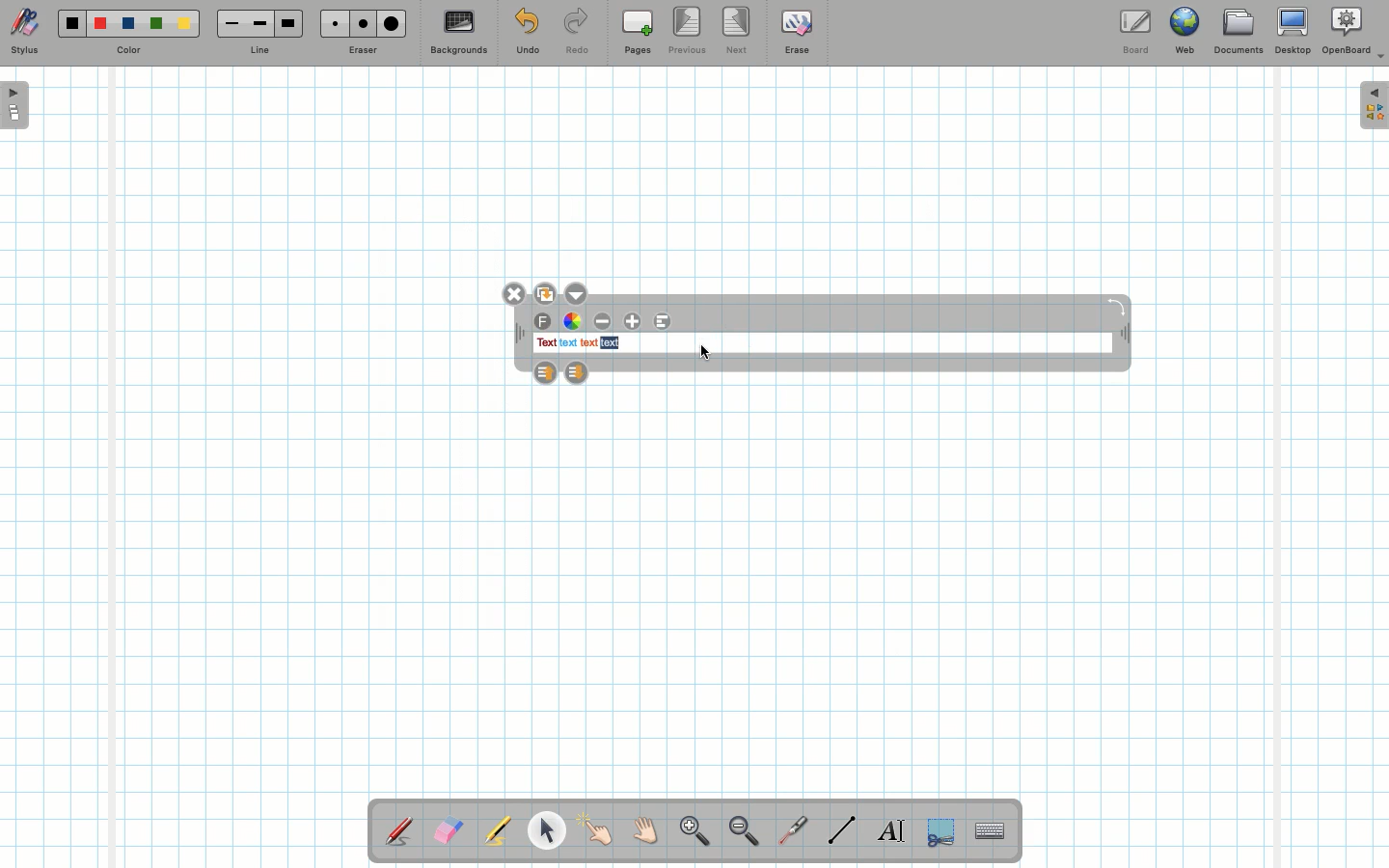 The height and width of the screenshot is (868, 1389). What do you see at coordinates (1116, 306) in the screenshot?
I see `Rotate` at bounding box center [1116, 306].